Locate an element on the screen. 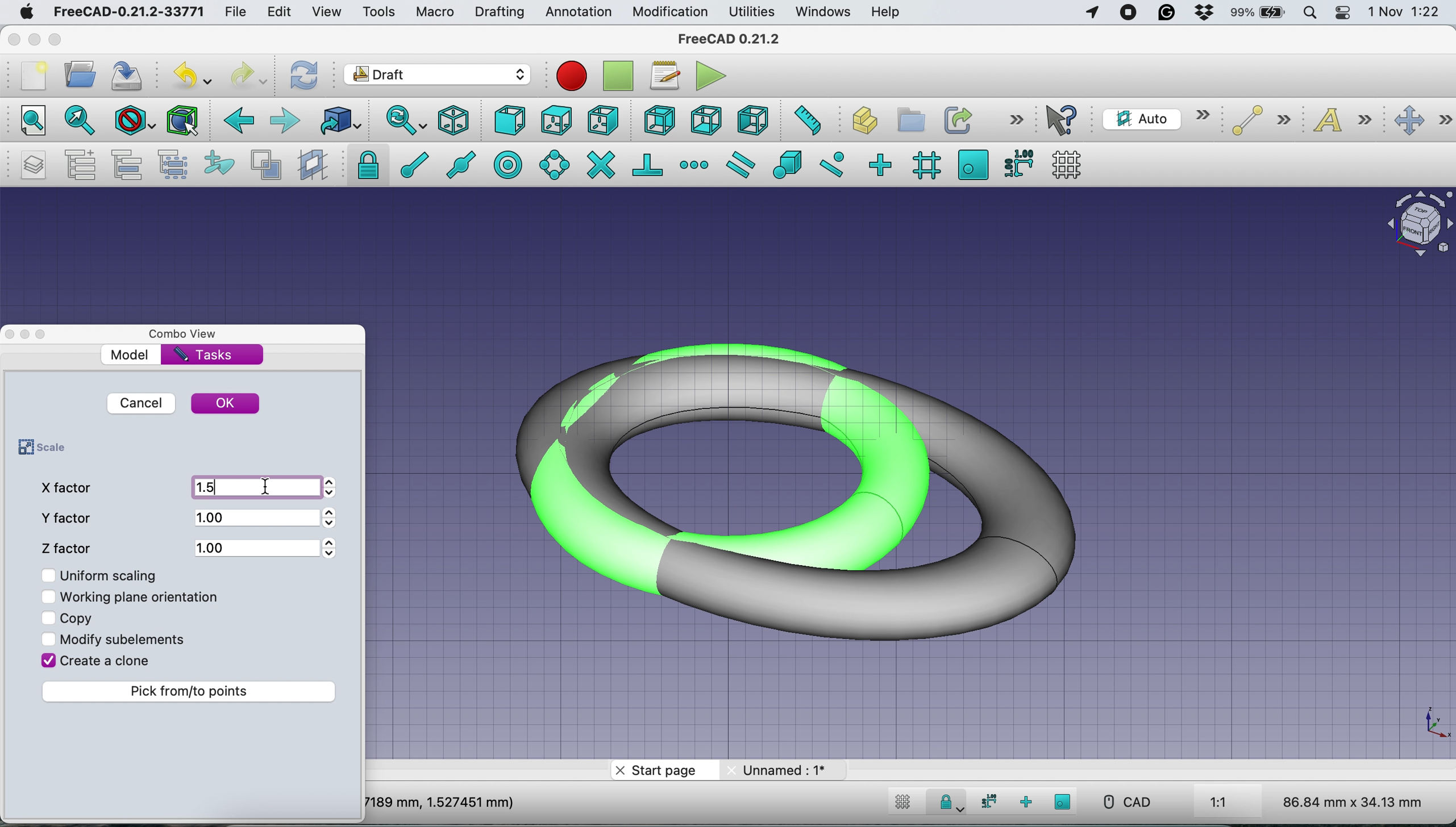 Image resolution: width=1456 pixels, height=827 pixels. snap intersection is located at coordinates (600, 165).